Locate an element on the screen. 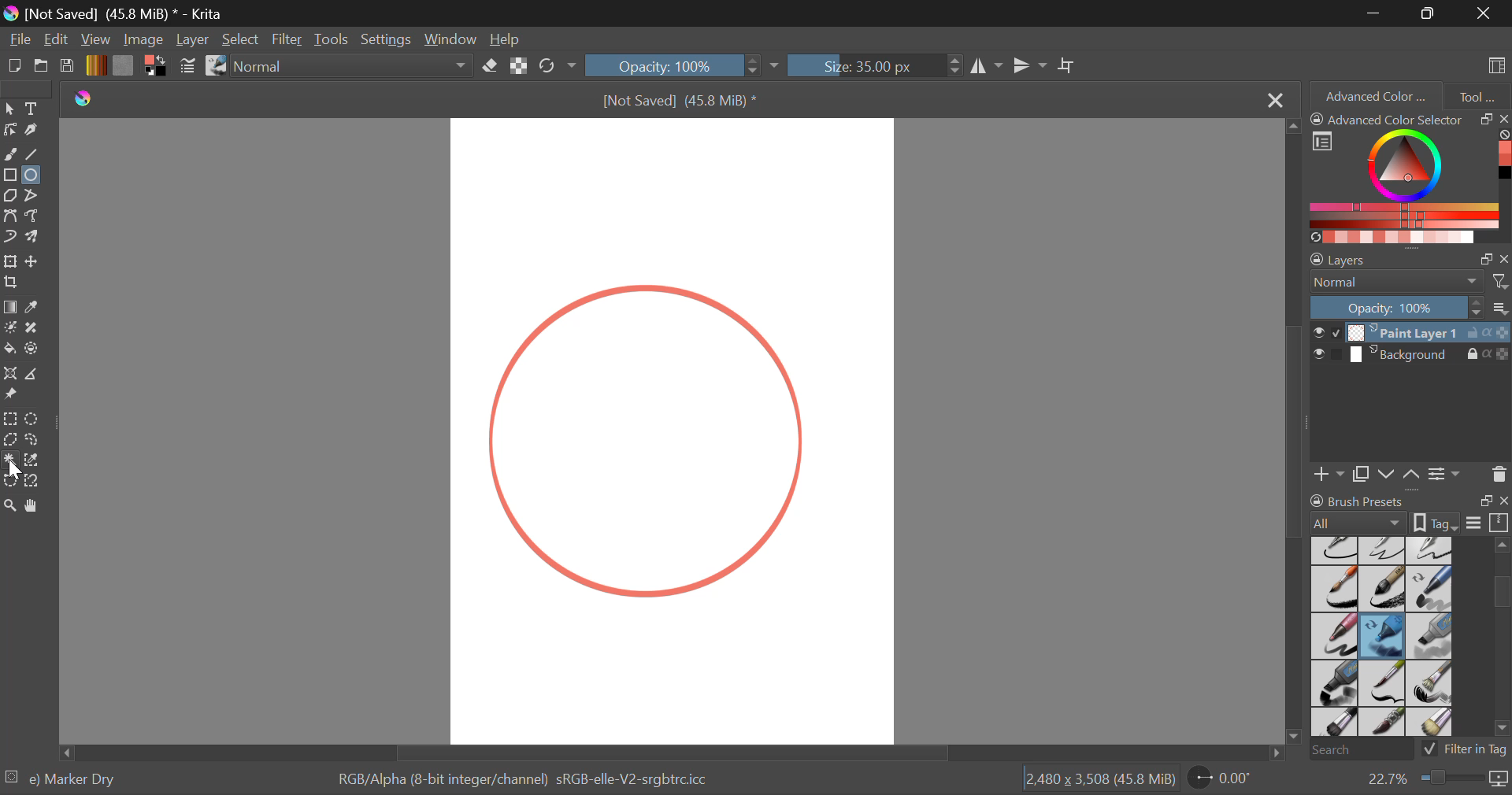 This screenshot has width=1512, height=795. Bristles-1 Details is located at coordinates (1383, 682).